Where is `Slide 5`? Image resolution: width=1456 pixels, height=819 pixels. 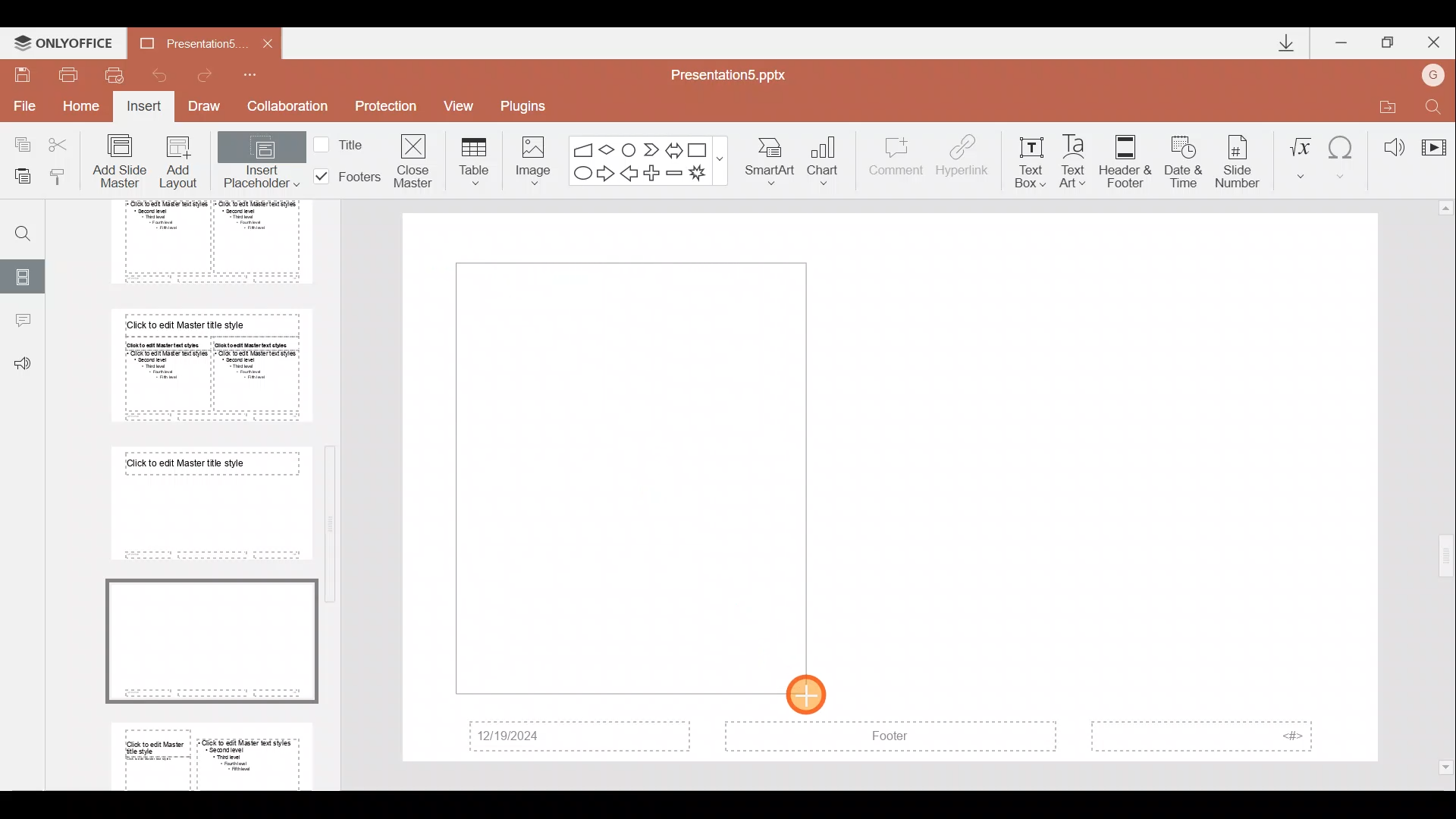
Slide 5 is located at coordinates (199, 242).